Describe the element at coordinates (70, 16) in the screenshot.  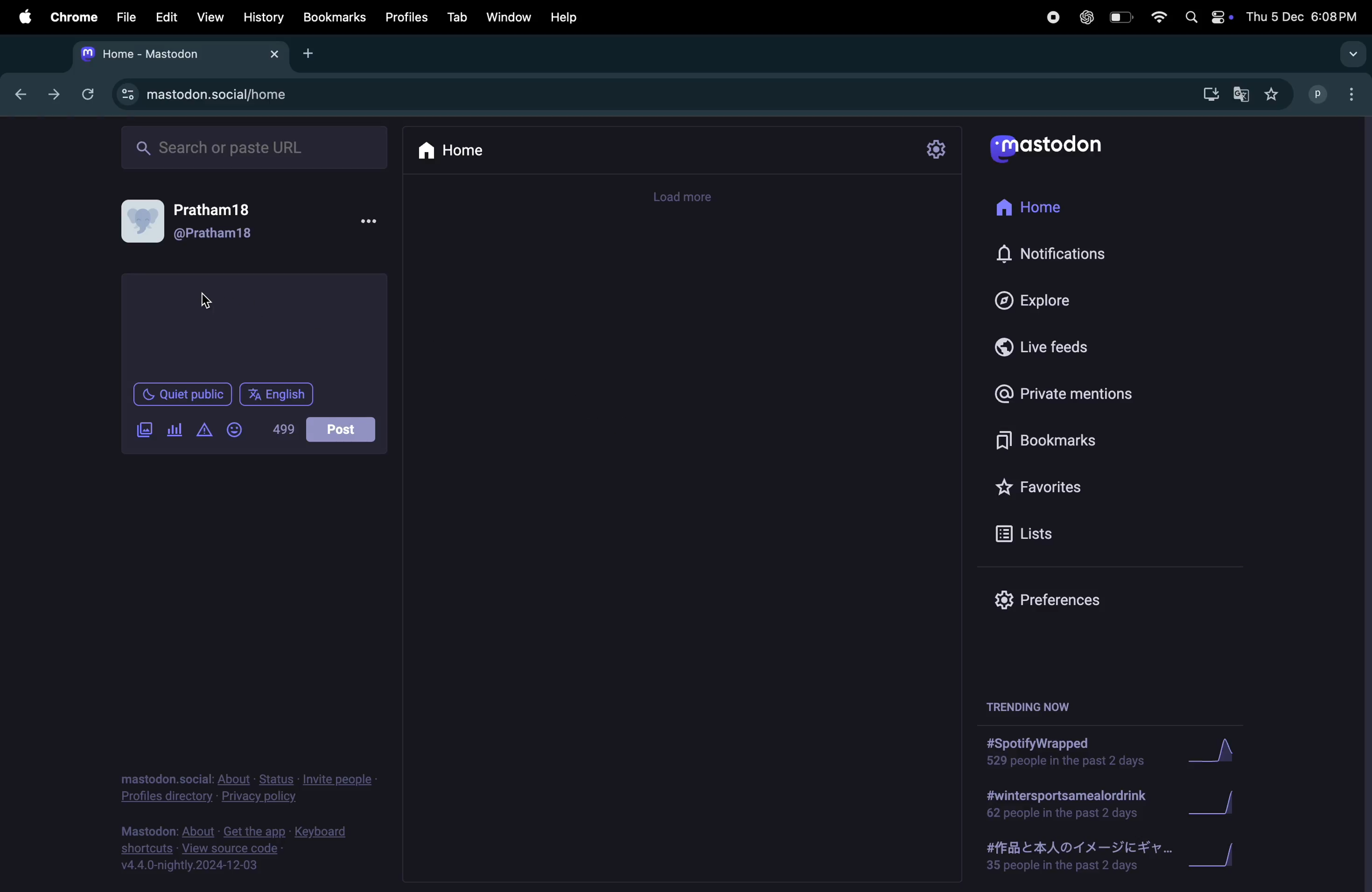
I see `chrome` at that location.